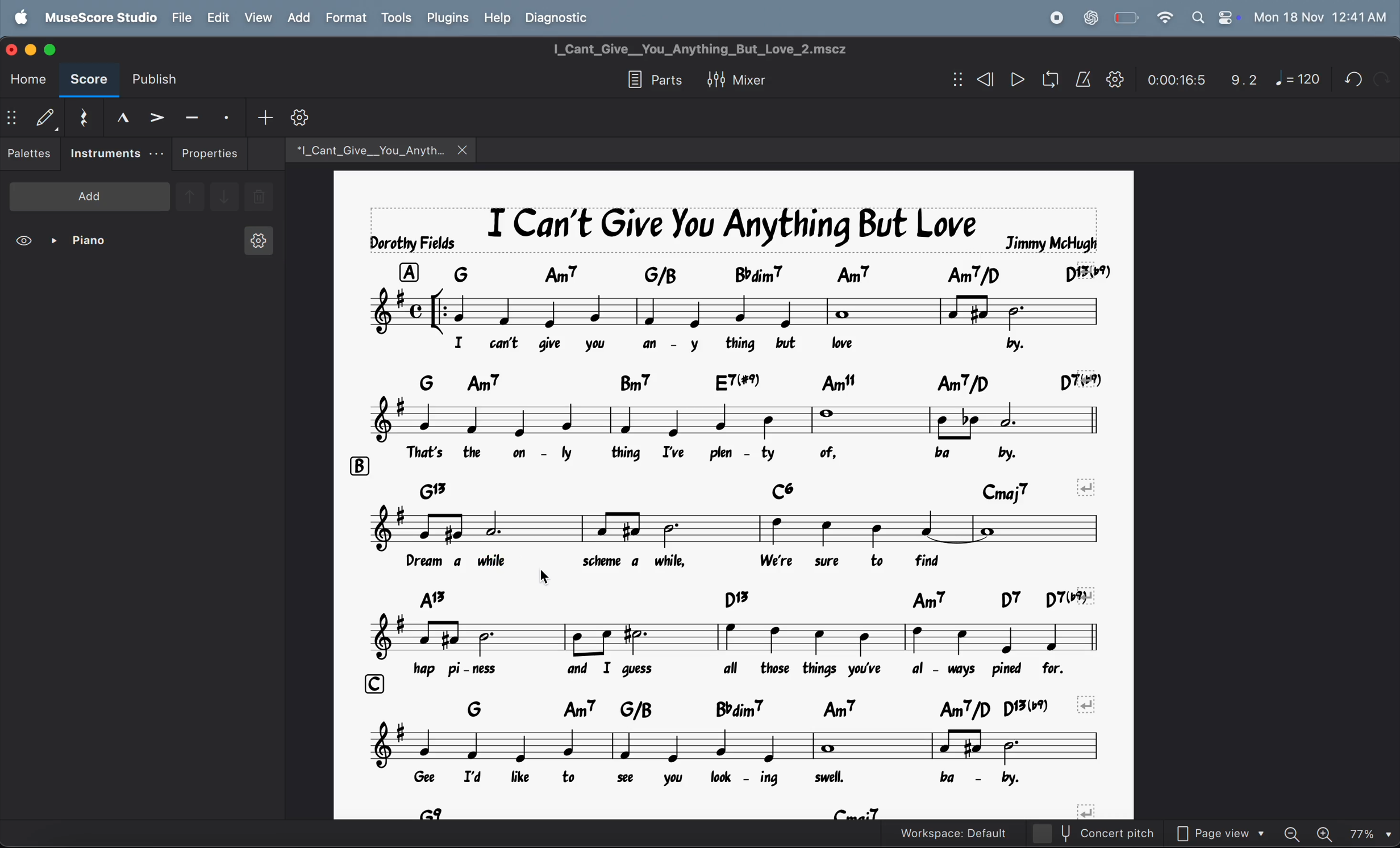  I want to click on date and time, so click(1323, 17).